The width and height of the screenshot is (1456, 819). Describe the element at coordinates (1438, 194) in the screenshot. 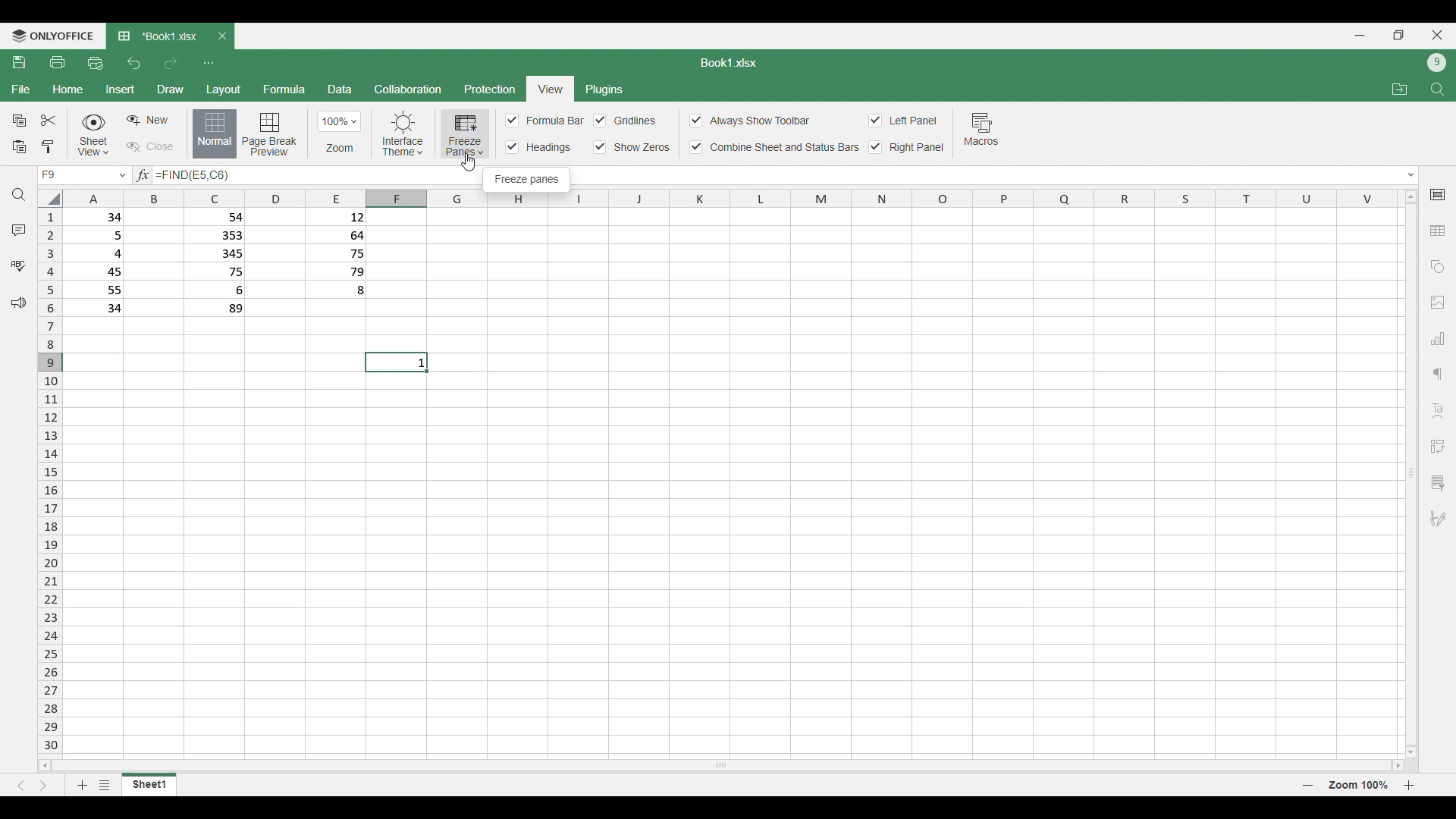

I see `Cell settings` at that location.